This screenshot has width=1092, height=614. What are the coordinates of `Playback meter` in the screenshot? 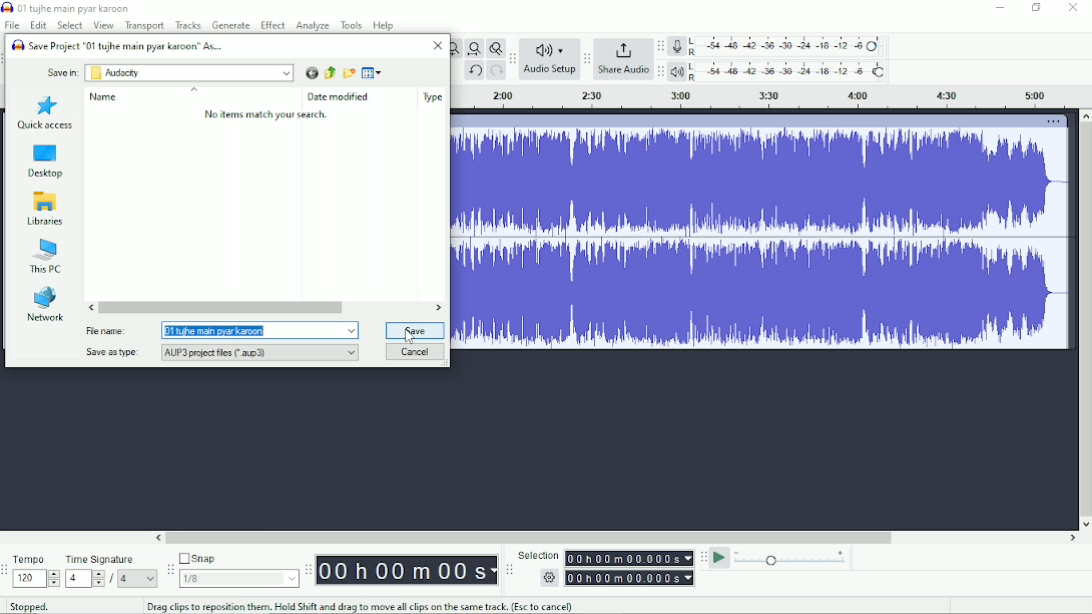 It's located at (781, 72).